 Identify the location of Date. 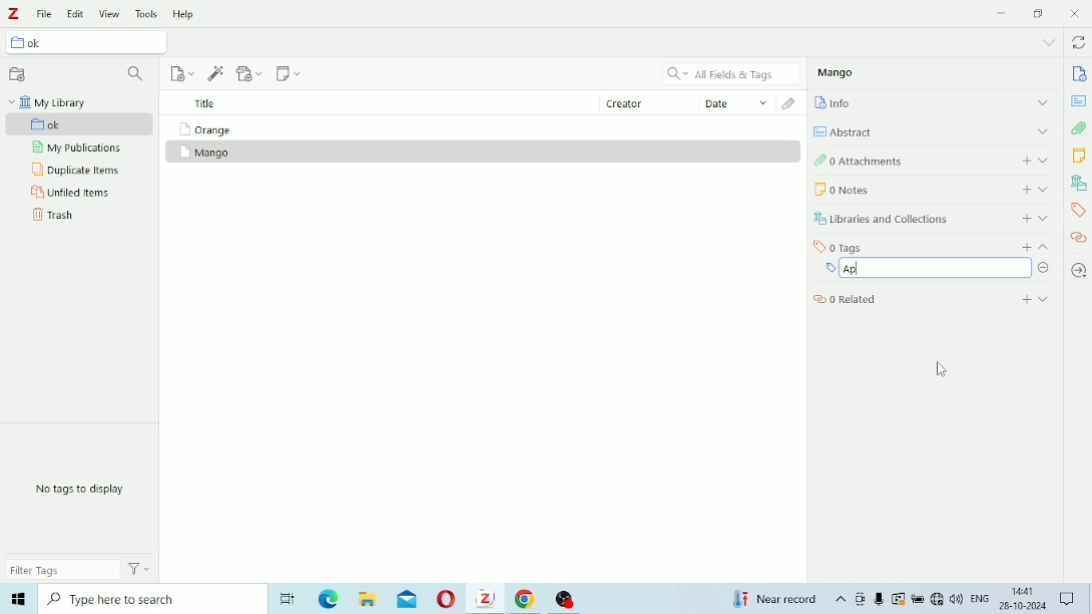
(737, 103).